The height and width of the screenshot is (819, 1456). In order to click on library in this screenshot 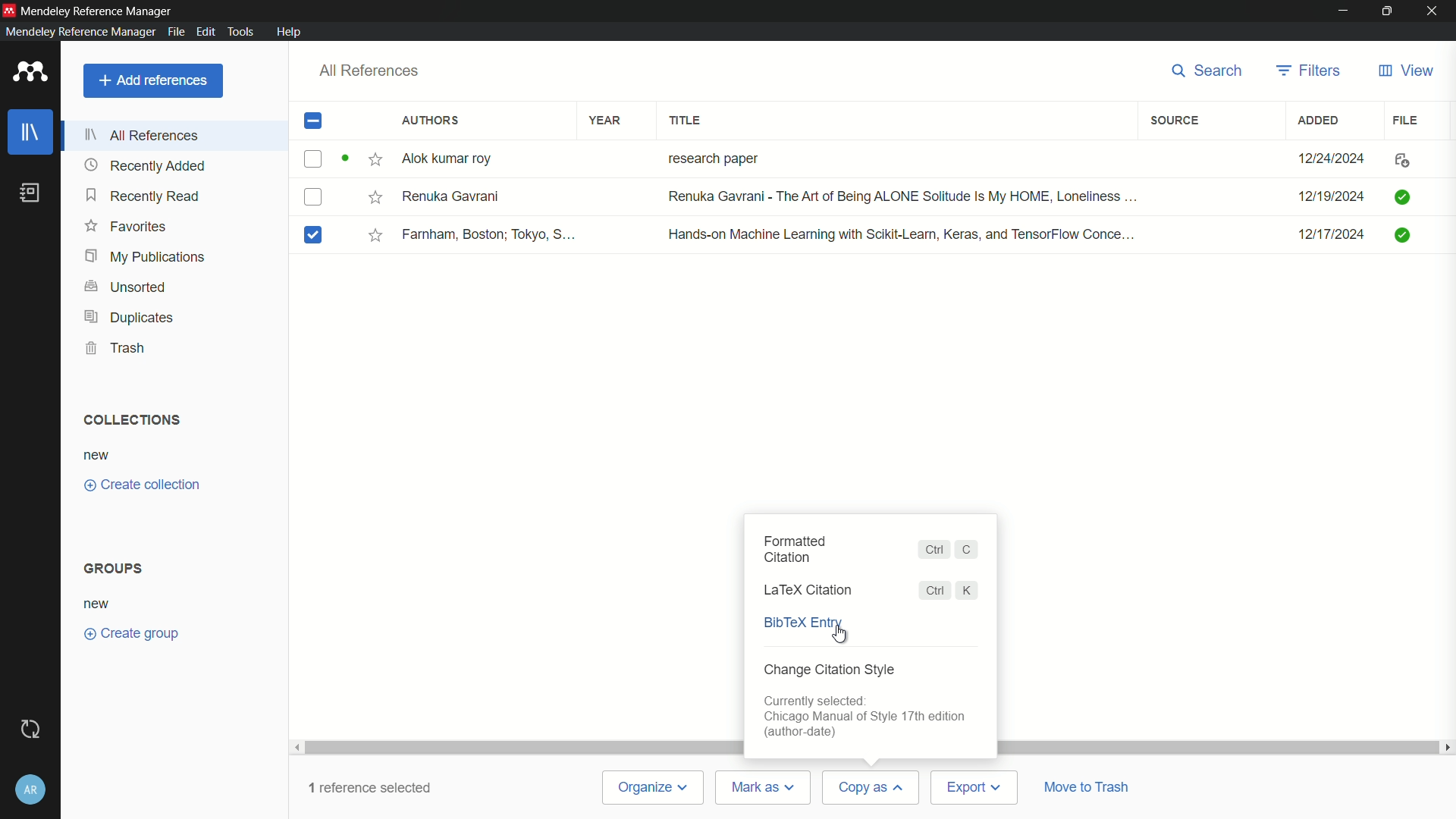, I will do `click(30, 132)`.